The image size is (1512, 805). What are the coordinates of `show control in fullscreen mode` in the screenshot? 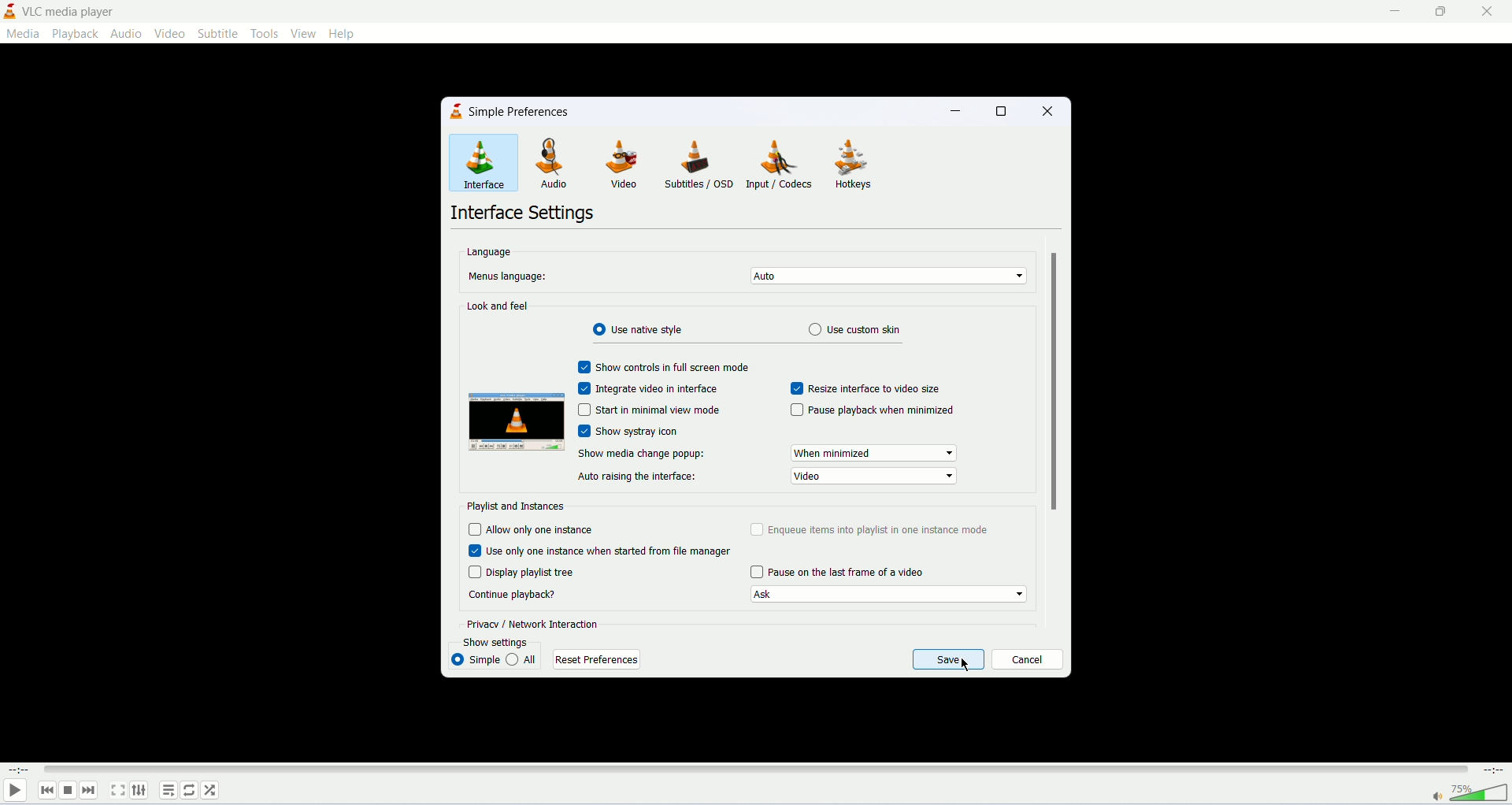 It's located at (663, 367).